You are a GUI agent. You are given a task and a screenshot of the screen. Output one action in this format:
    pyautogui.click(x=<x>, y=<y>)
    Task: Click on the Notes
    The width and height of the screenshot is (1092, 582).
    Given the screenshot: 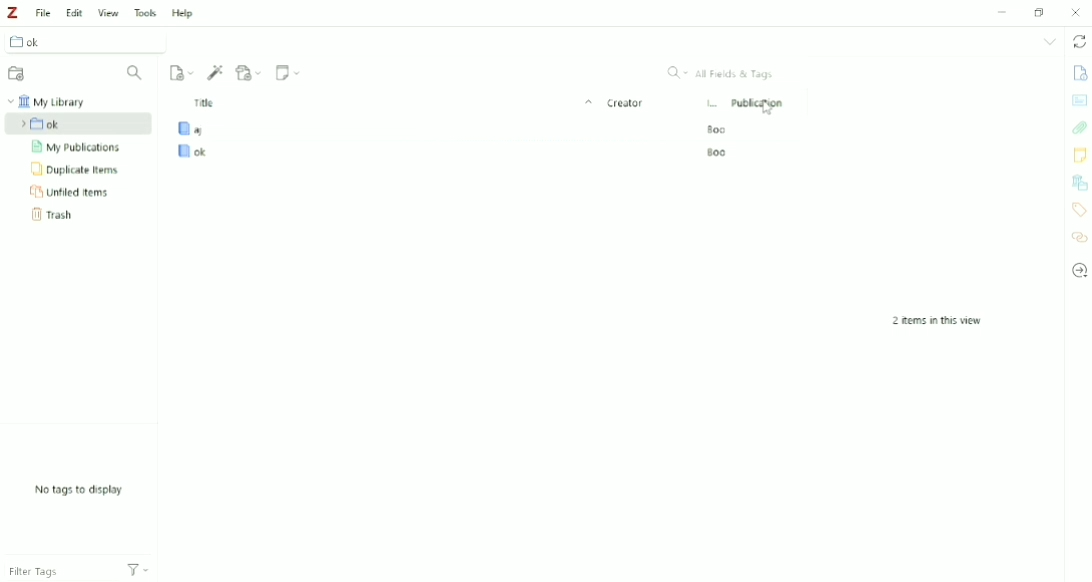 What is the action you would take?
    pyautogui.click(x=1078, y=155)
    